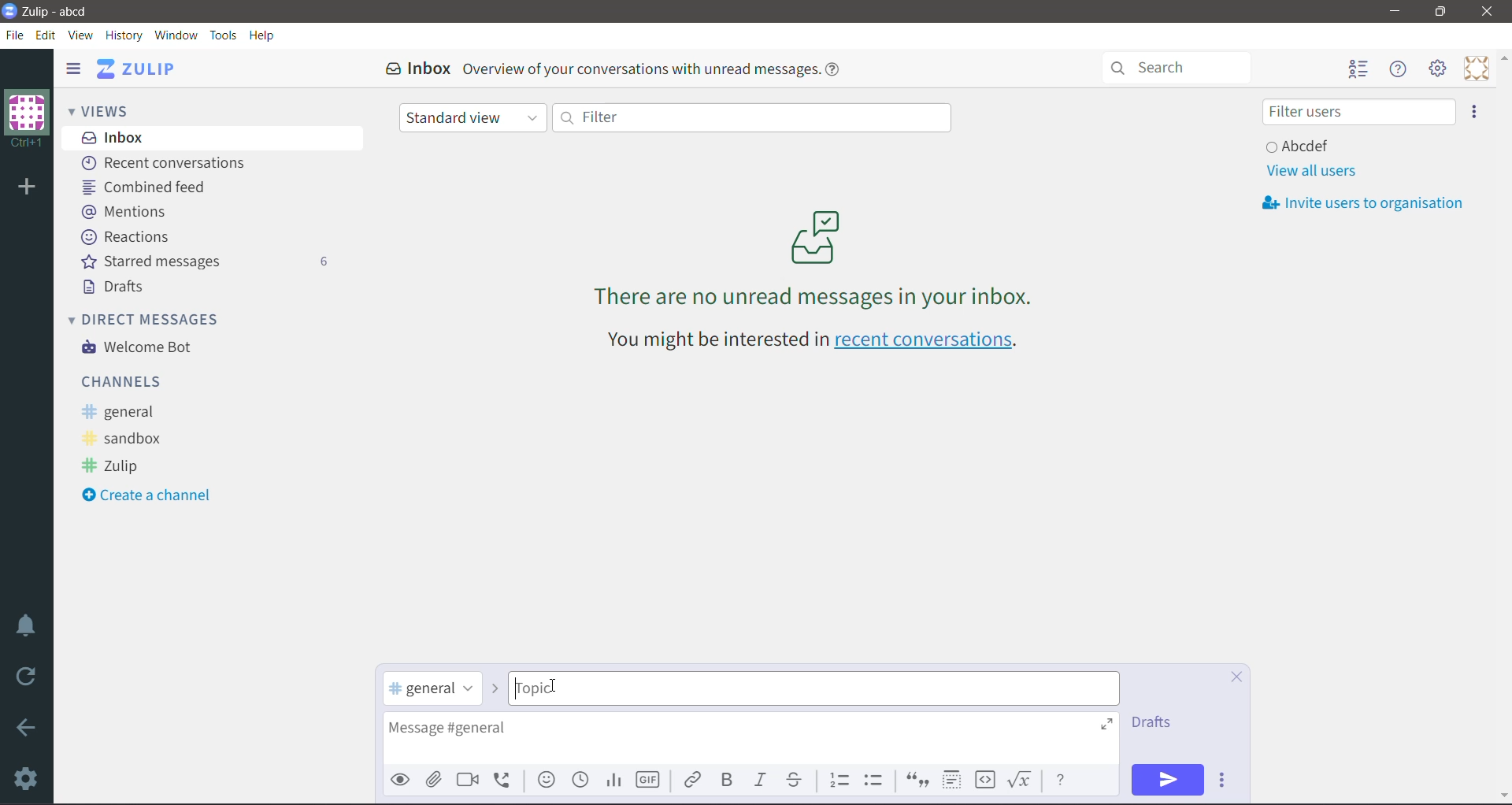 This screenshot has width=1512, height=805. What do you see at coordinates (647, 781) in the screenshot?
I see `Add GIF` at bounding box center [647, 781].